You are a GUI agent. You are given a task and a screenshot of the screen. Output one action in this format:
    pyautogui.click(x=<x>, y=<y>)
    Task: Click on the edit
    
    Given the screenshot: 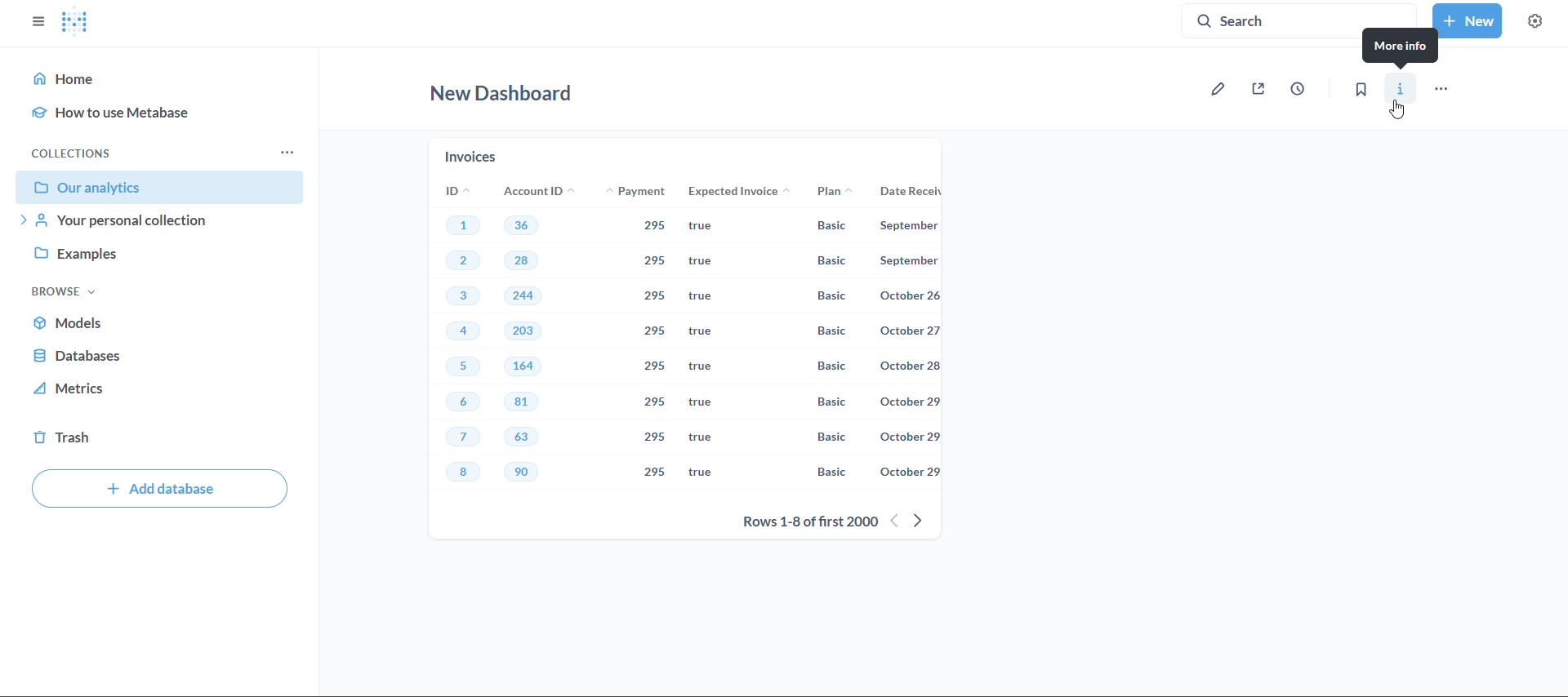 What is the action you would take?
    pyautogui.click(x=1221, y=90)
    